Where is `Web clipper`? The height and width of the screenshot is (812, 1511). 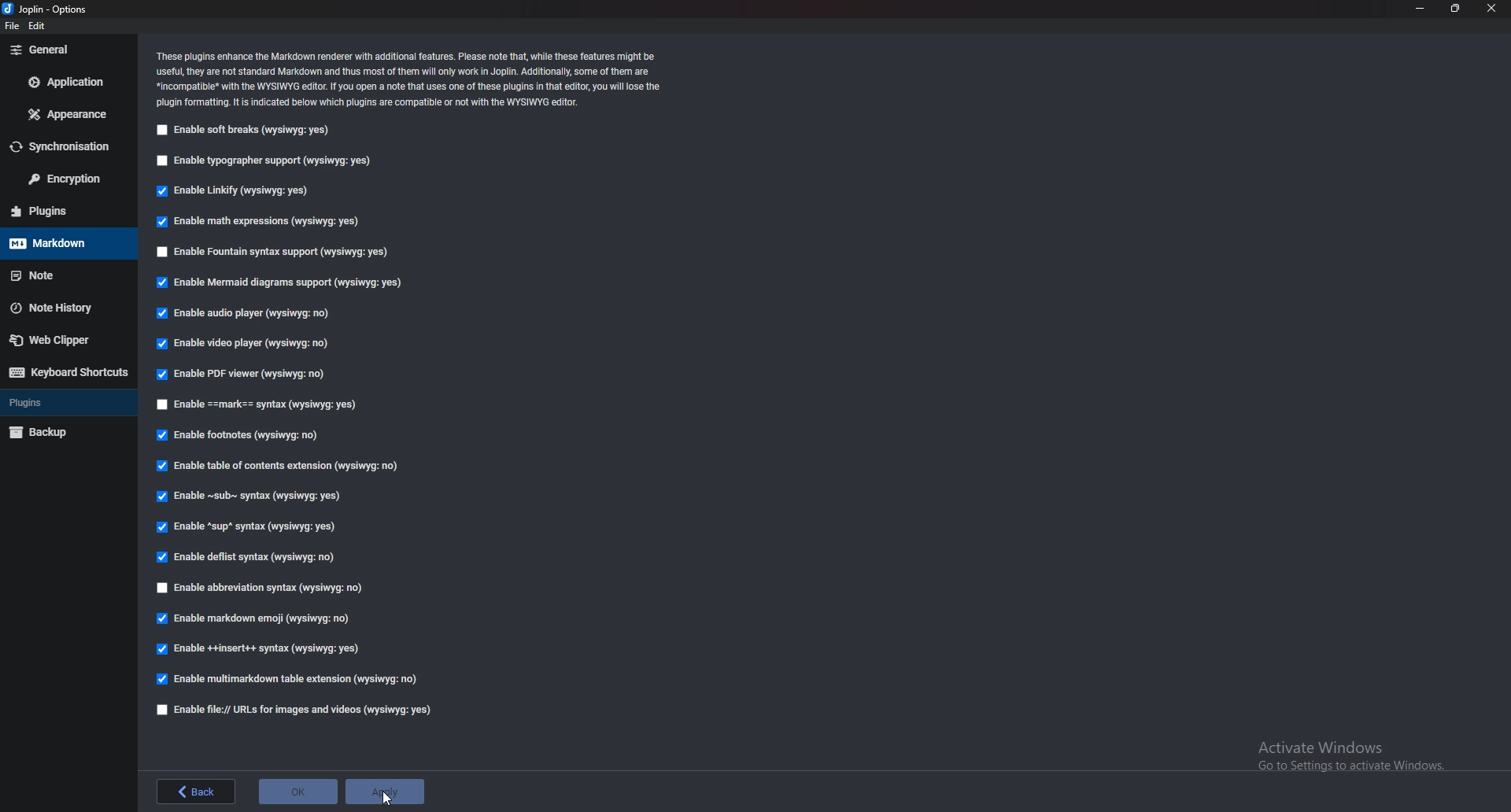 Web clipper is located at coordinates (60, 342).